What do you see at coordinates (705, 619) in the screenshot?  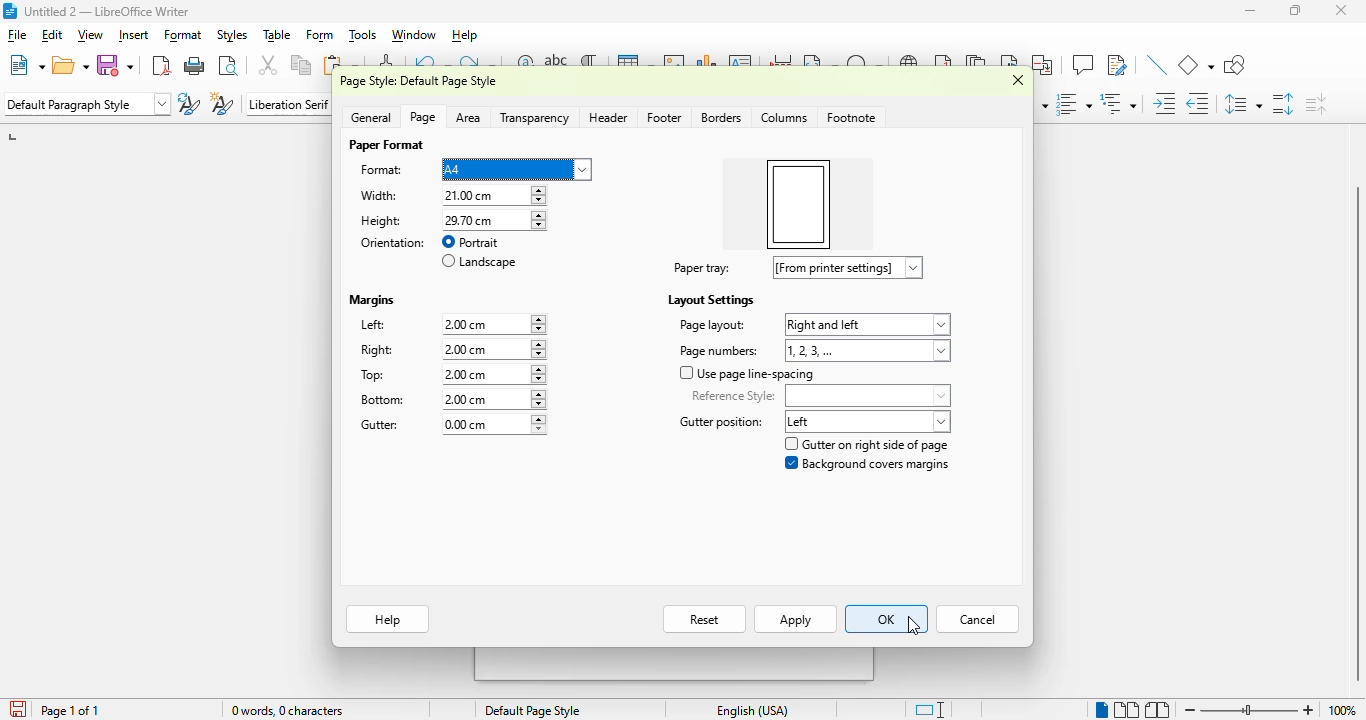 I see `reset` at bounding box center [705, 619].